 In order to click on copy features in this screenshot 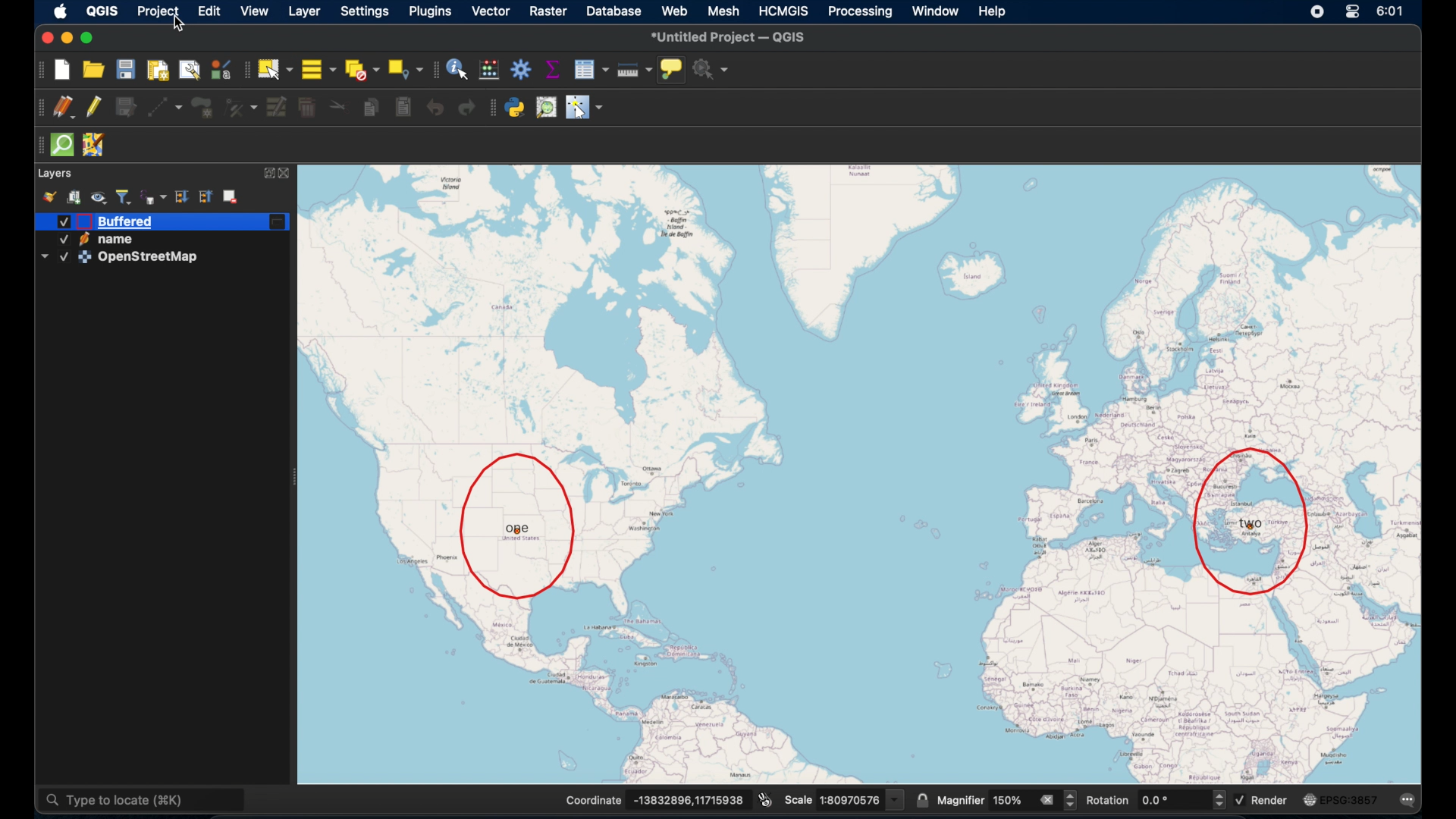, I will do `click(371, 108)`.